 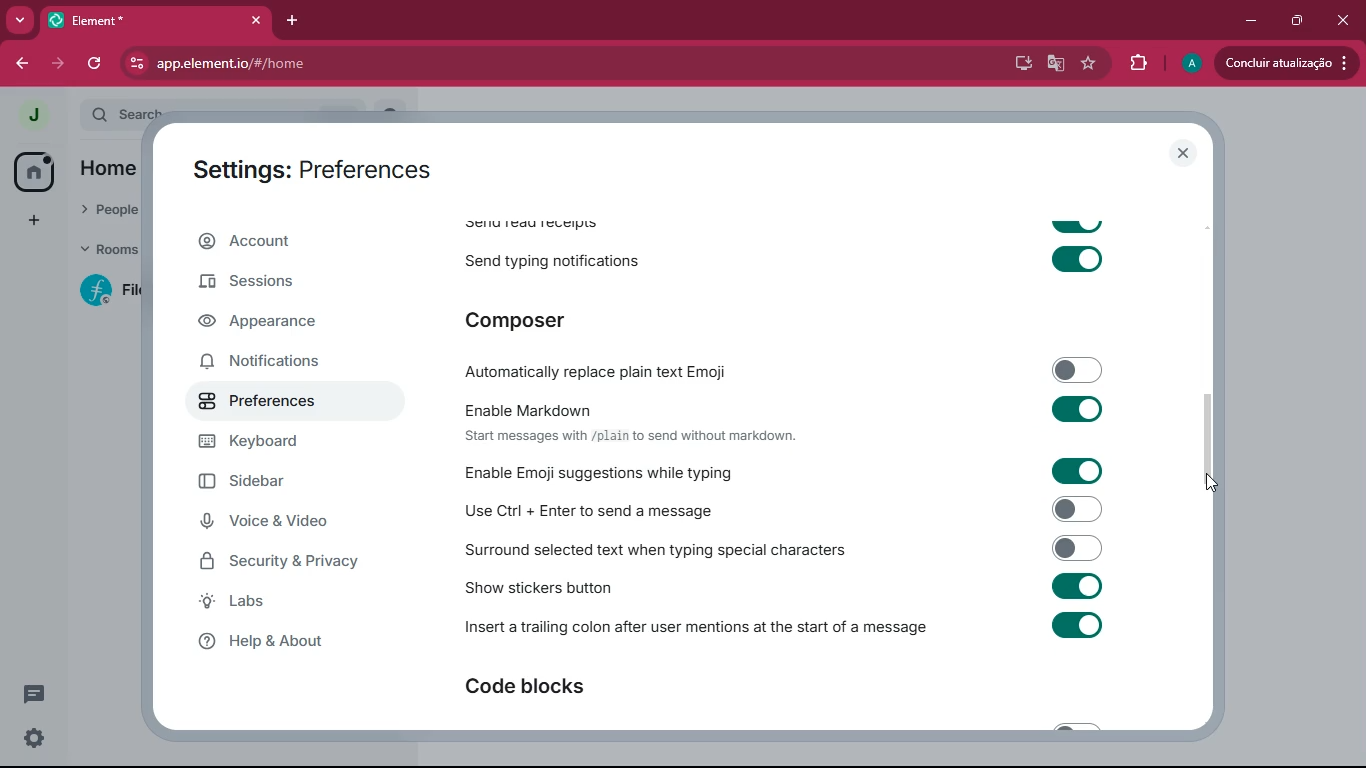 I want to click on enable markdown, so click(x=805, y=420).